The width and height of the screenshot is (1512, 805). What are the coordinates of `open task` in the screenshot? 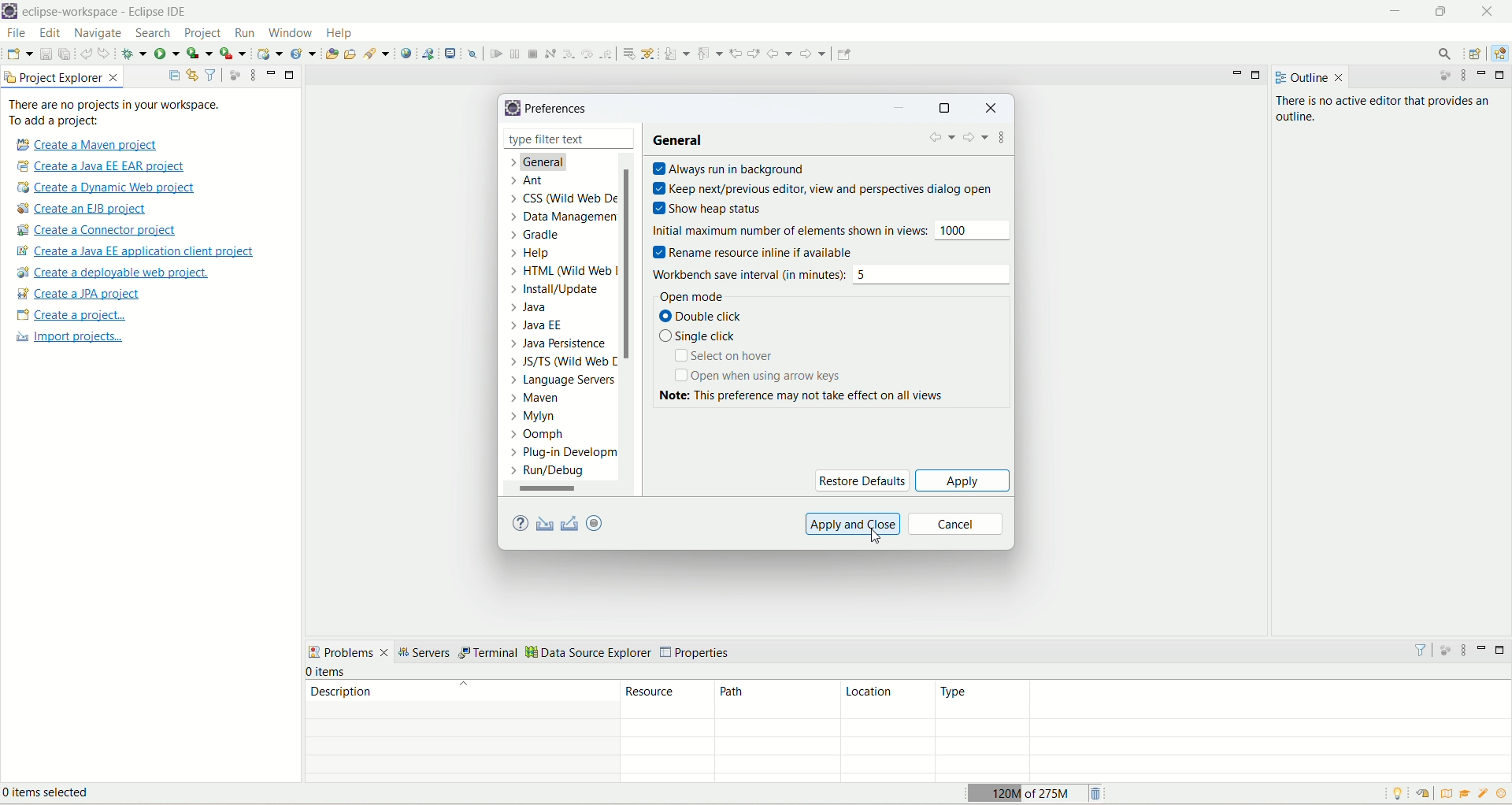 It's located at (353, 55).